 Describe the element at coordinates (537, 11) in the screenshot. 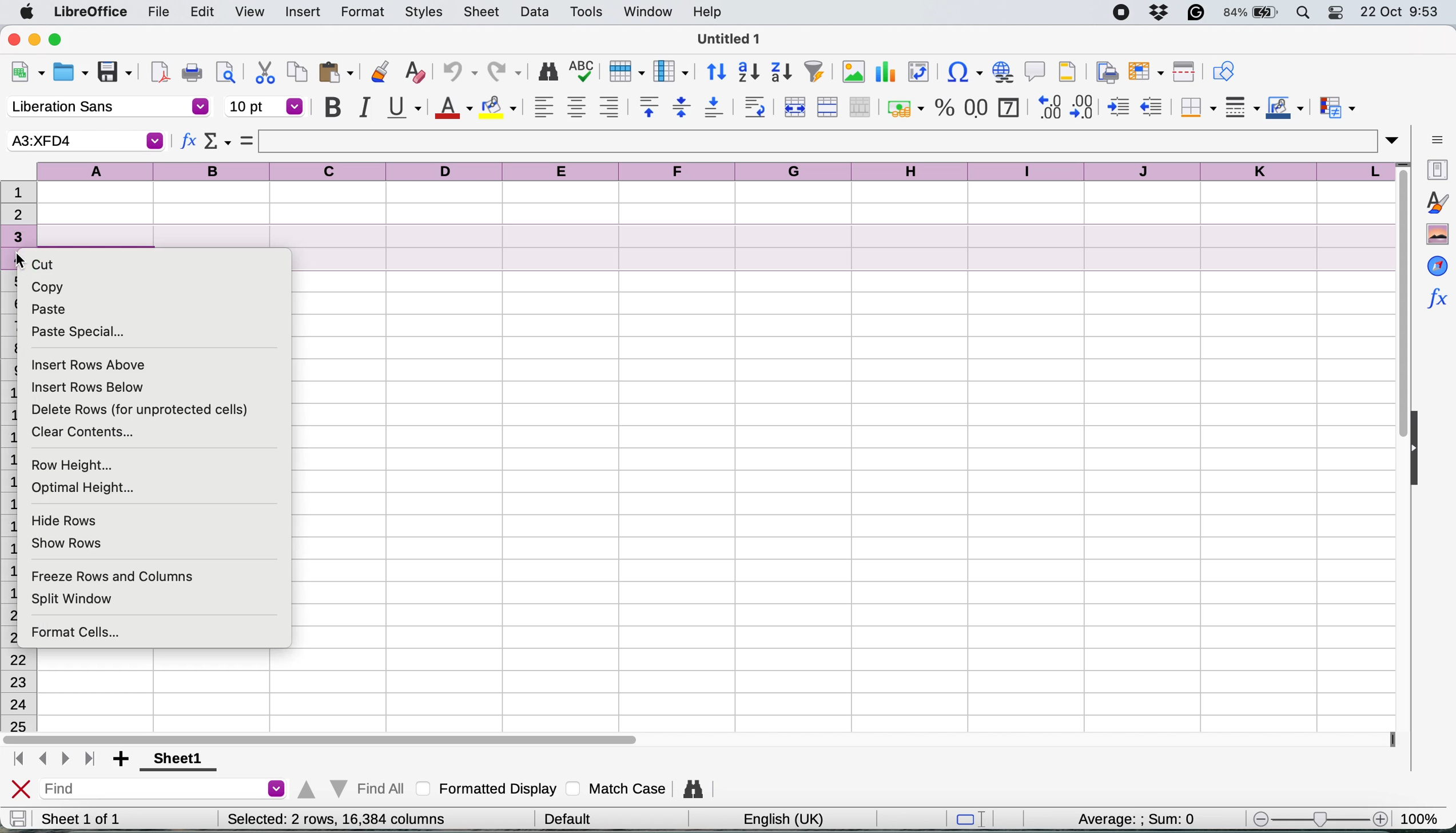

I see `data` at that location.